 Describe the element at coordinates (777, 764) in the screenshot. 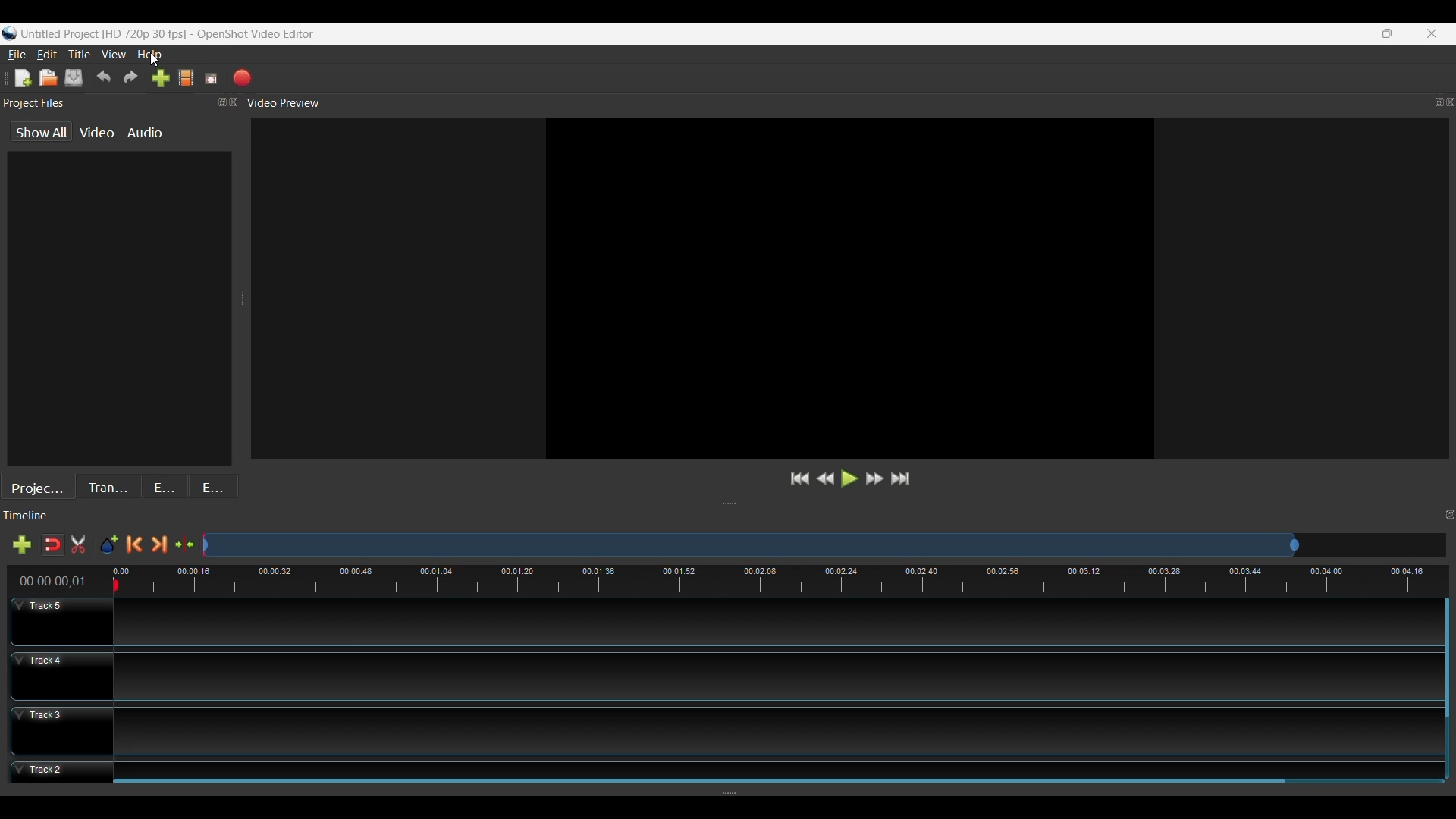

I see `Track Panel` at that location.